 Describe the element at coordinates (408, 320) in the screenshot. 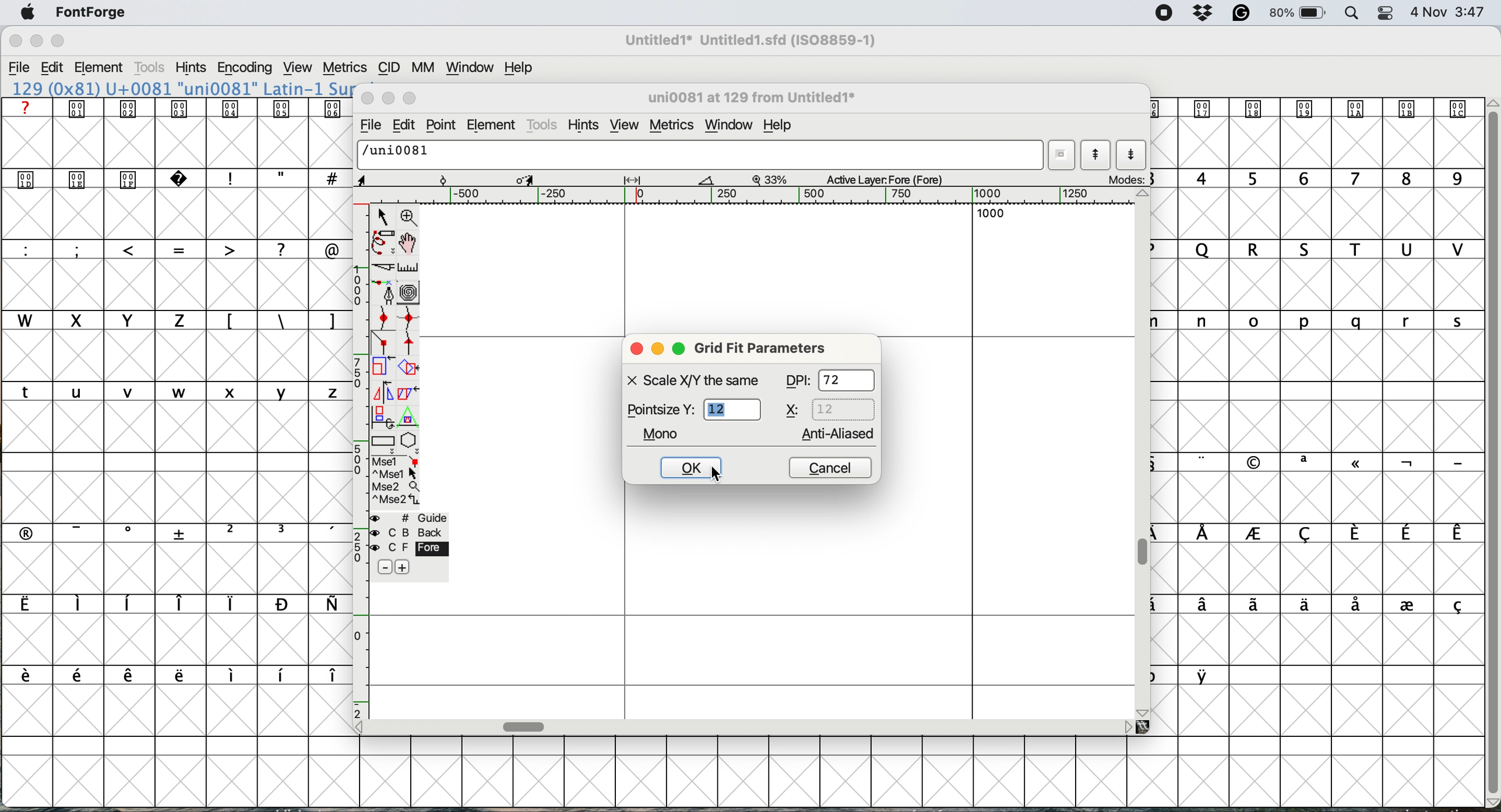

I see `add a curve point horizontal or vertical` at that location.